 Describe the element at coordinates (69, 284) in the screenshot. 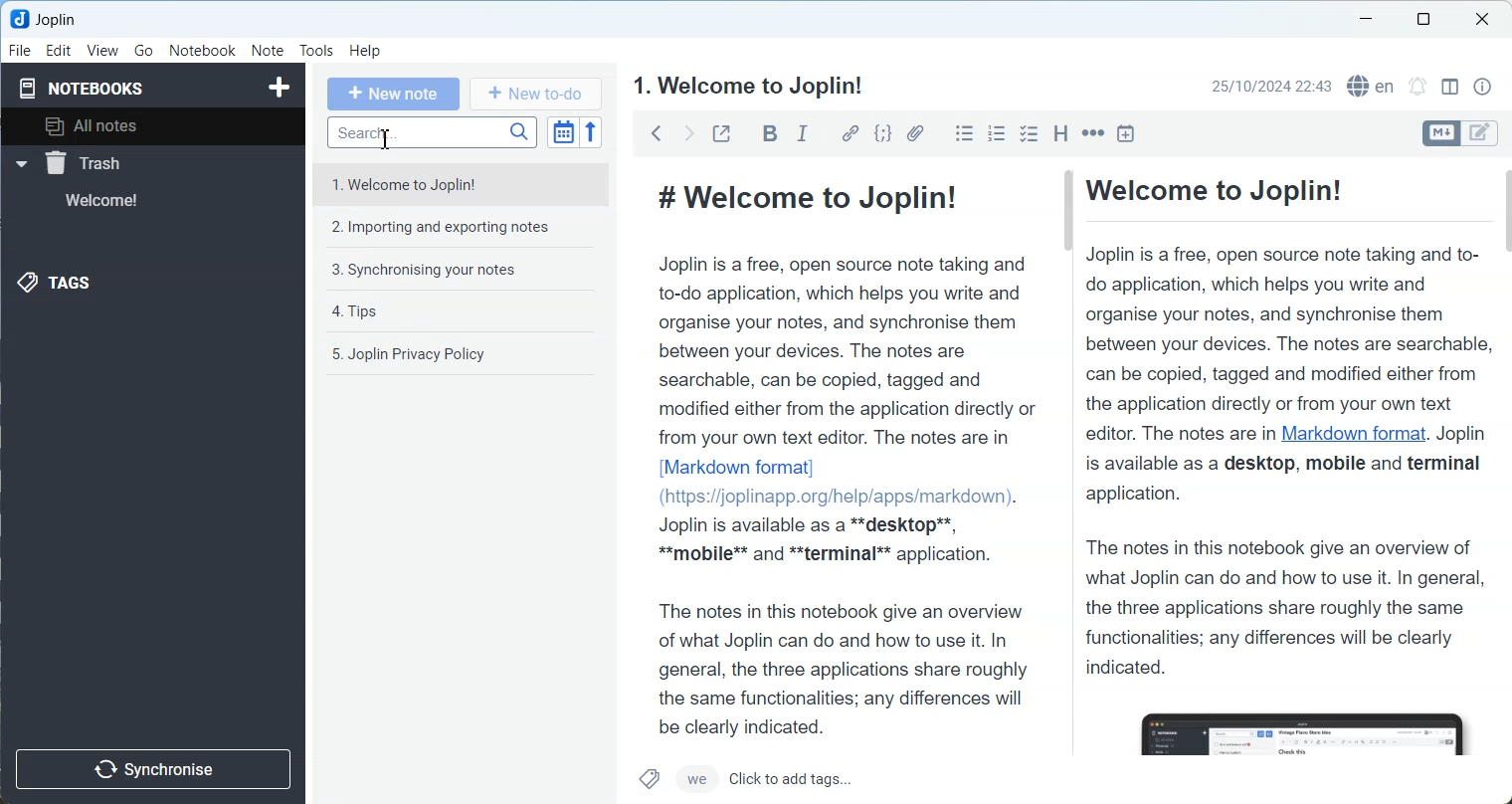

I see `Tags` at that location.